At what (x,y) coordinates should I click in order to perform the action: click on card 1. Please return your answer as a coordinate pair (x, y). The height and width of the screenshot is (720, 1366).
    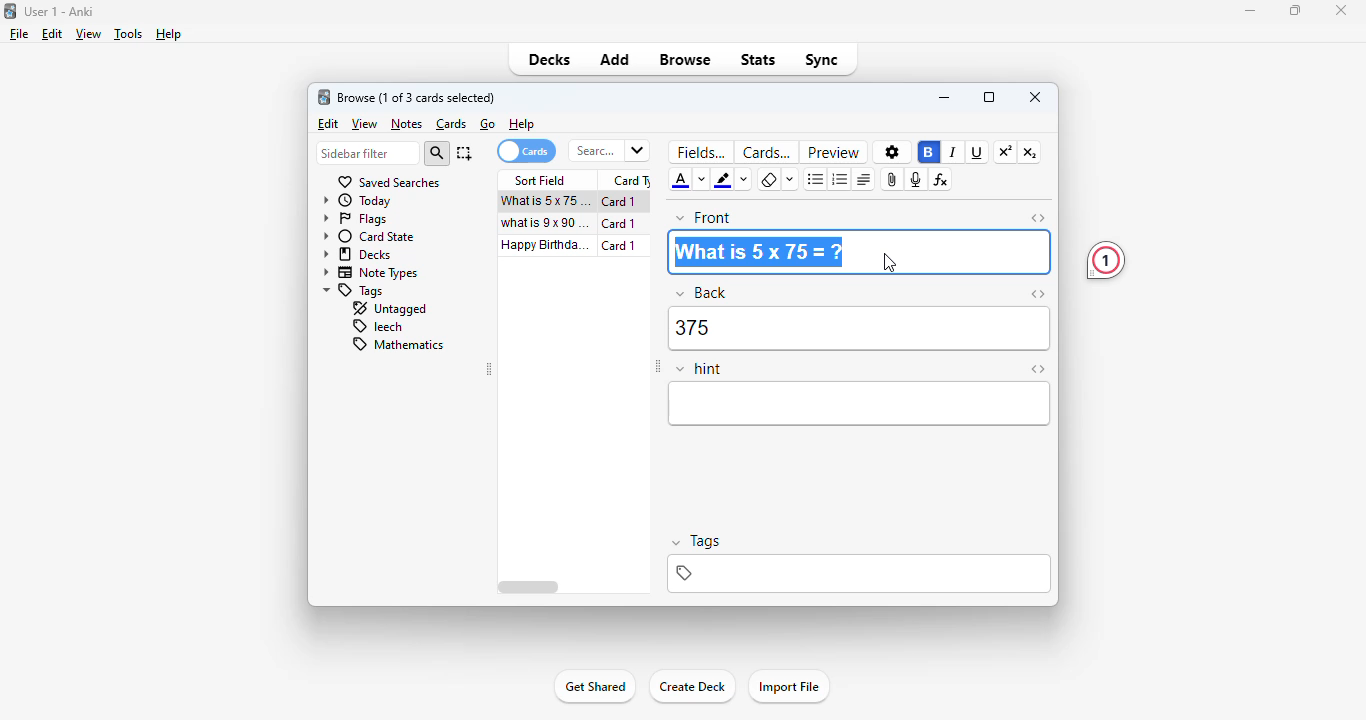
    Looking at the image, I should click on (619, 246).